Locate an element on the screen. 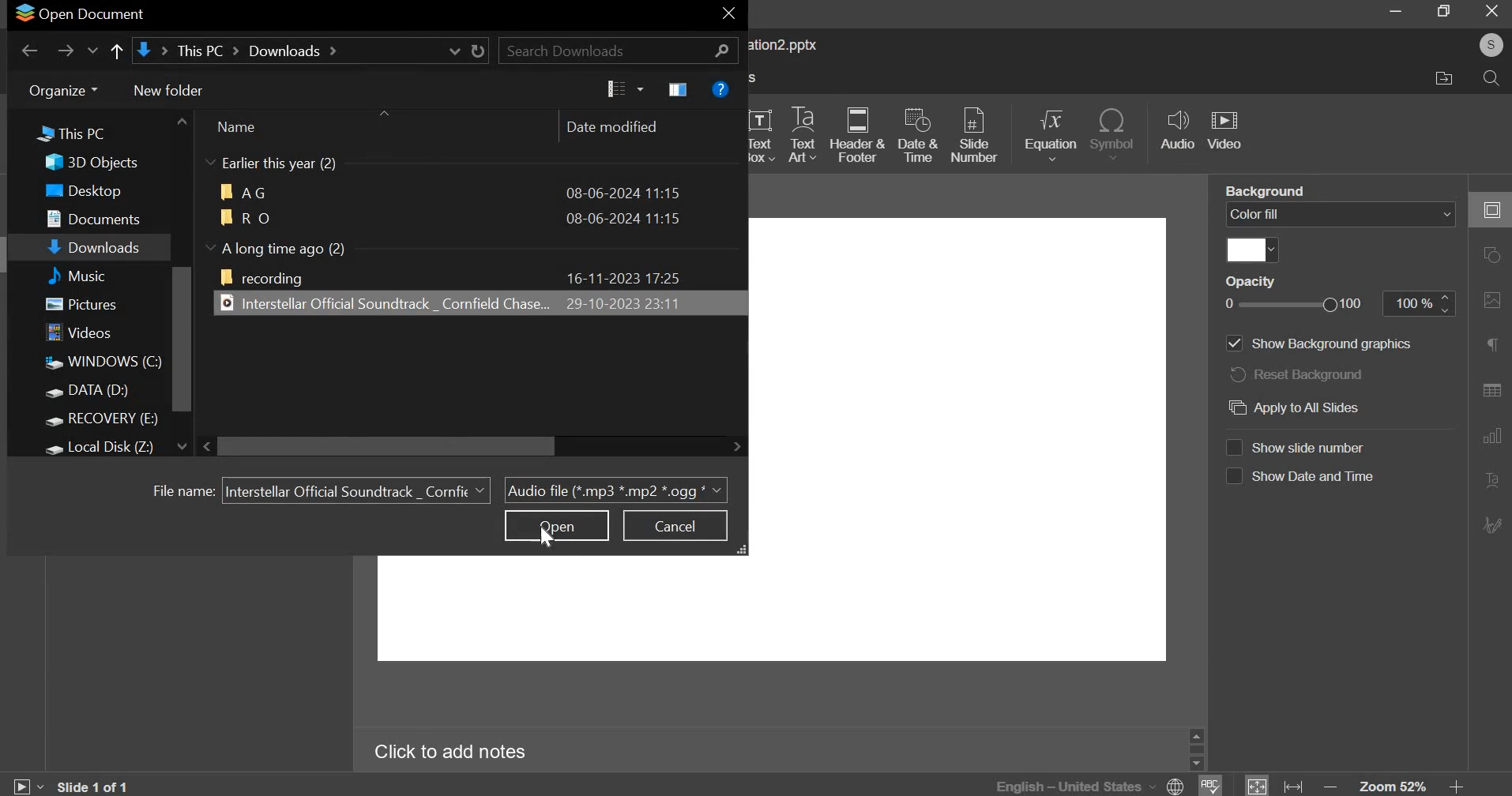 The height and width of the screenshot is (796, 1512). 3D Objects is located at coordinates (90, 163).